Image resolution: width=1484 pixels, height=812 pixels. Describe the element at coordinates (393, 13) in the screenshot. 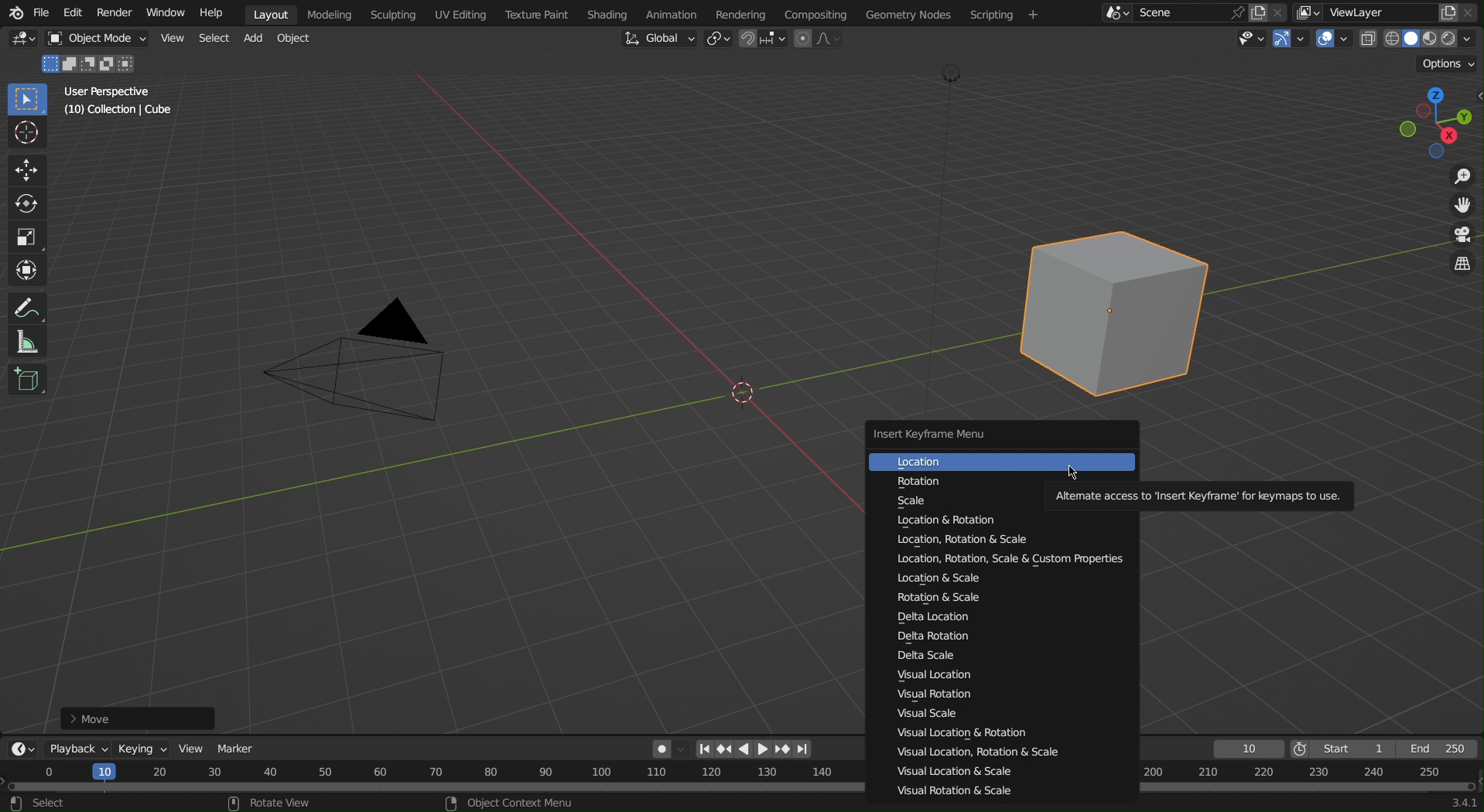

I see `Sculpting` at that location.